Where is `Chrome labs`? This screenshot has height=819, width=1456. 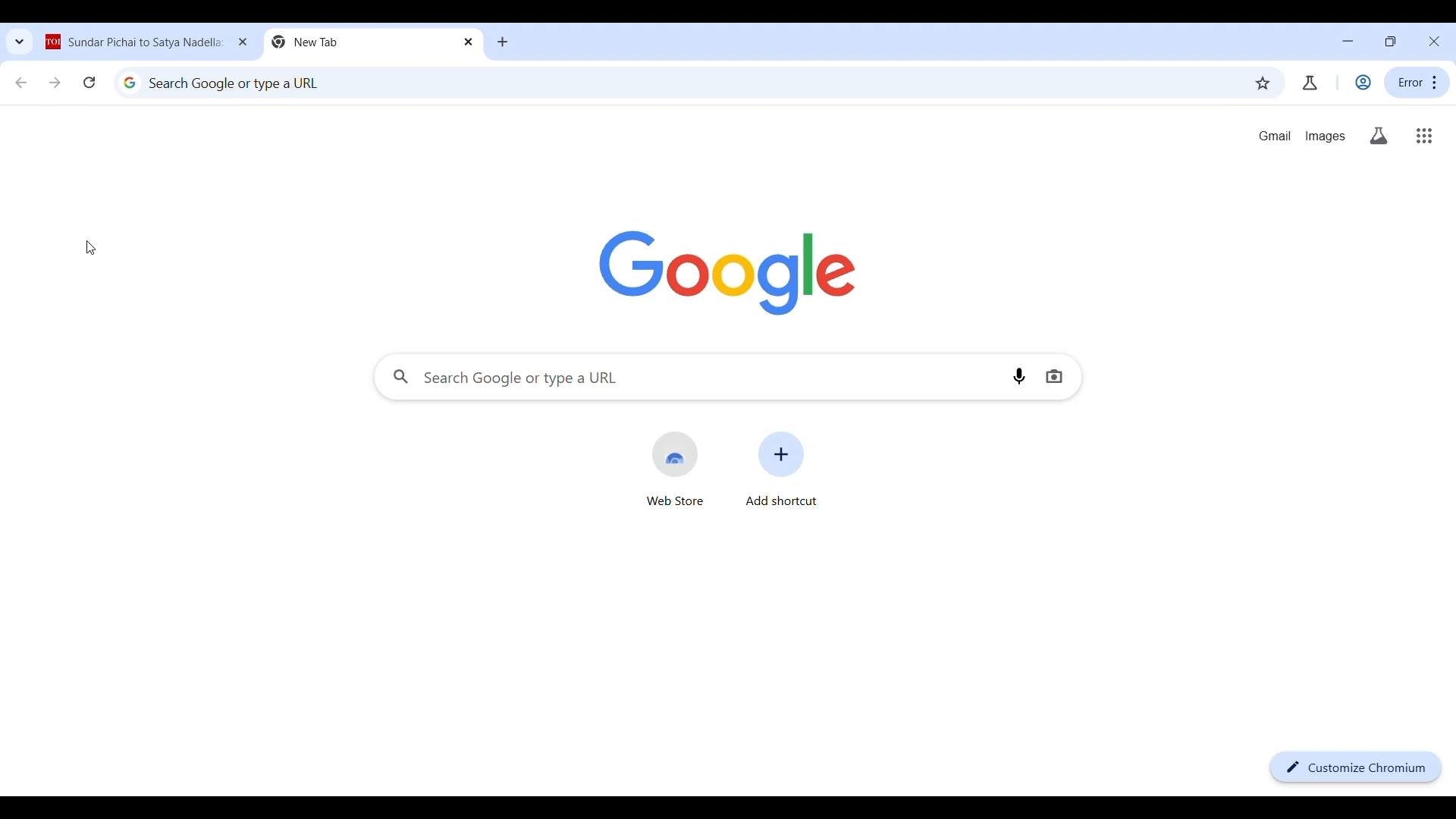 Chrome labs is located at coordinates (1310, 83).